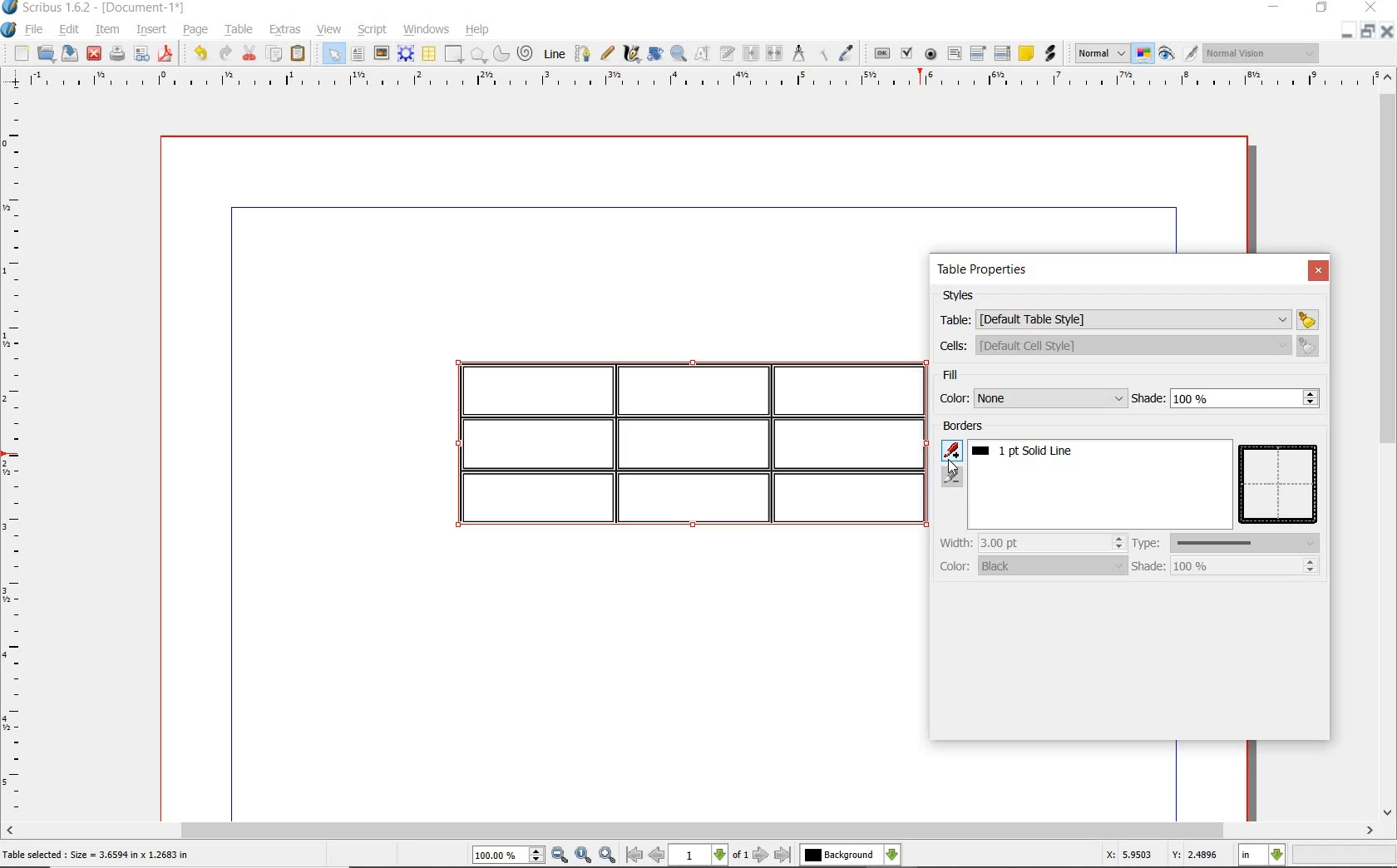 The width and height of the screenshot is (1397, 868). Describe the element at coordinates (964, 296) in the screenshot. I see `styles` at that location.